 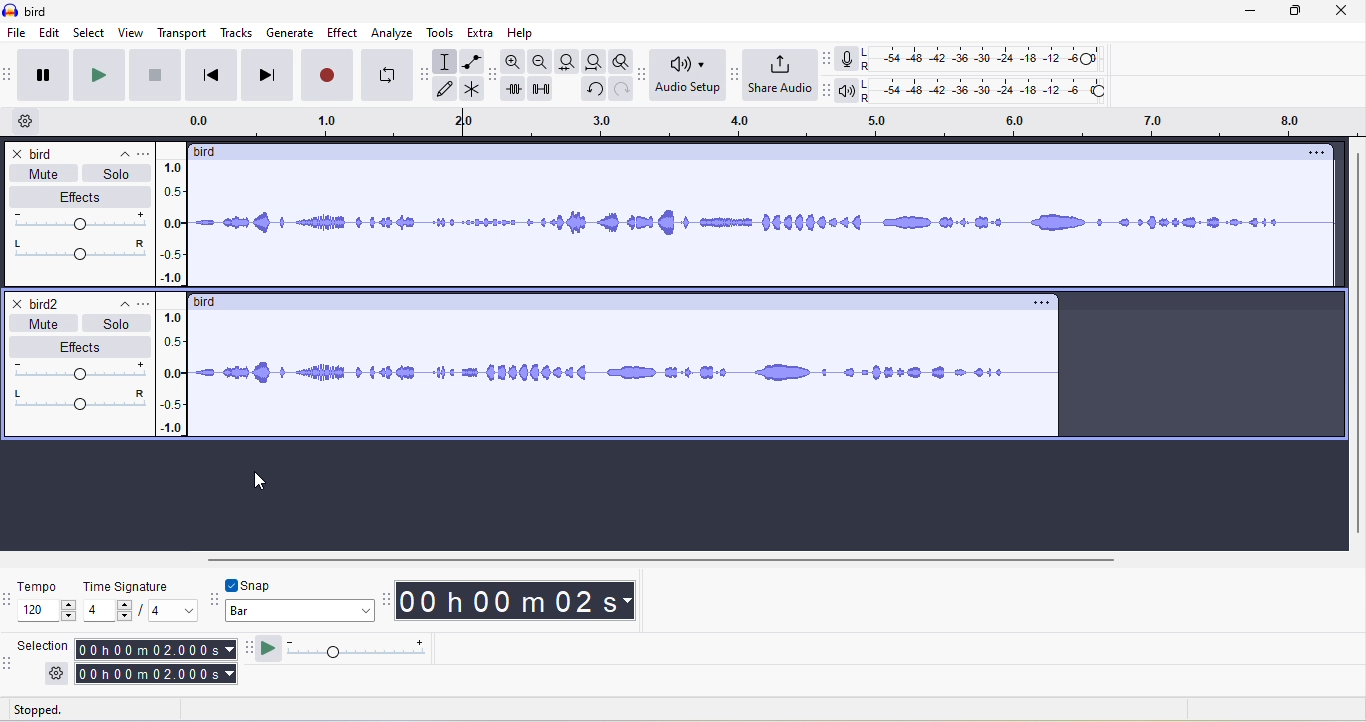 What do you see at coordinates (763, 226) in the screenshot?
I see `wave form` at bounding box center [763, 226].